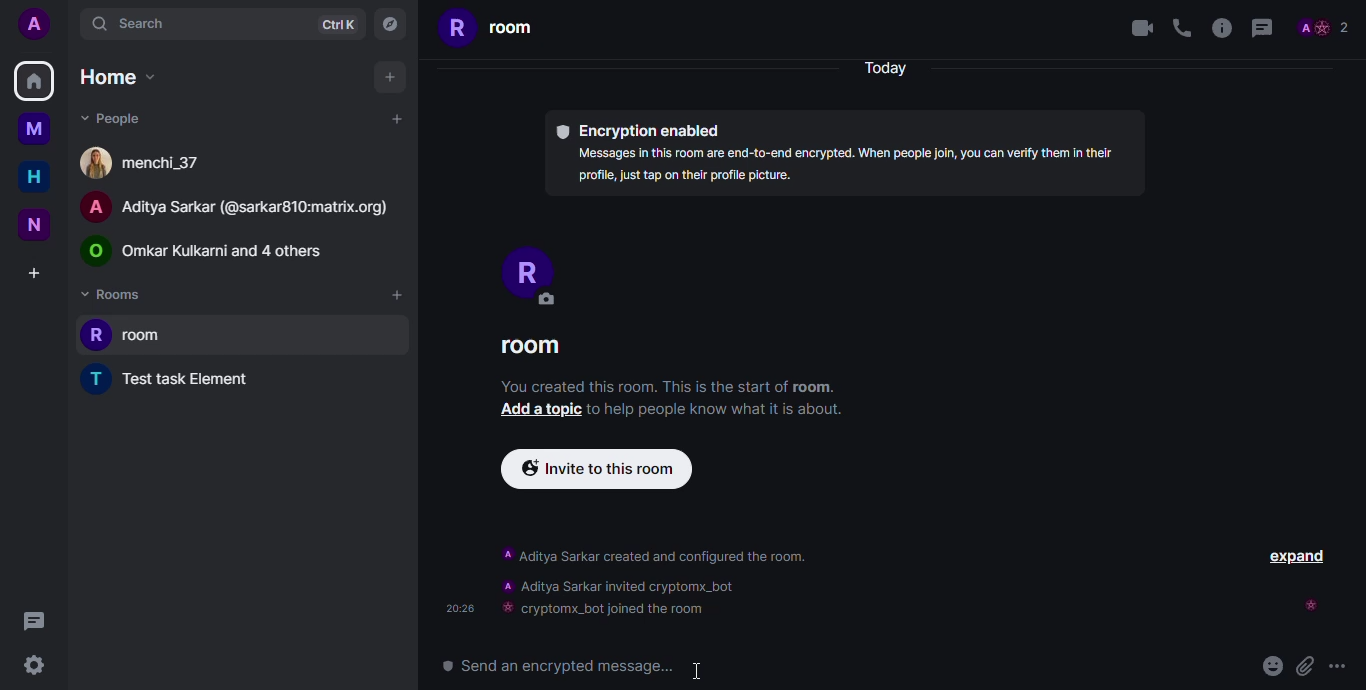 The height and width of the screenshot is (690, 1366). What do you see at coordinates (548, 277) in the screenshot?
I see `PROFILE` at bounding box center [548, 277].